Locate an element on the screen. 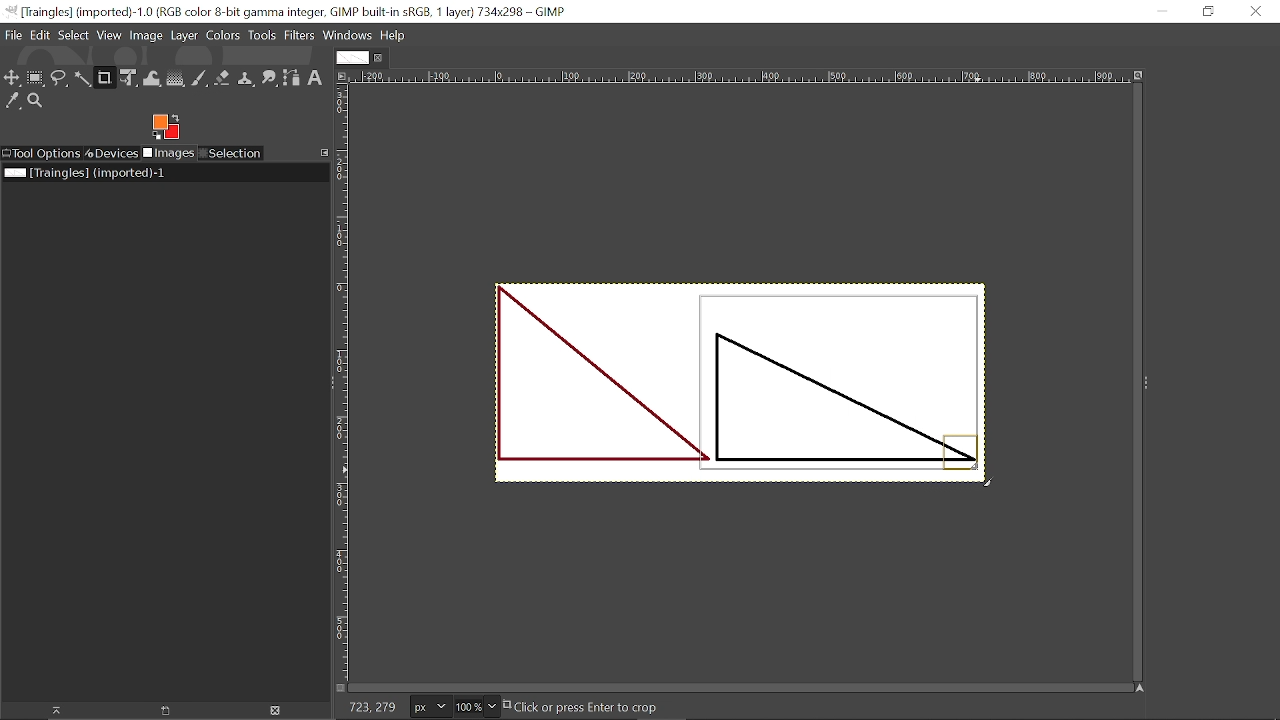 Image resolution: width=1280 pixels, height=720 pixels. Configure this tab is located at coordinates (322, 153).